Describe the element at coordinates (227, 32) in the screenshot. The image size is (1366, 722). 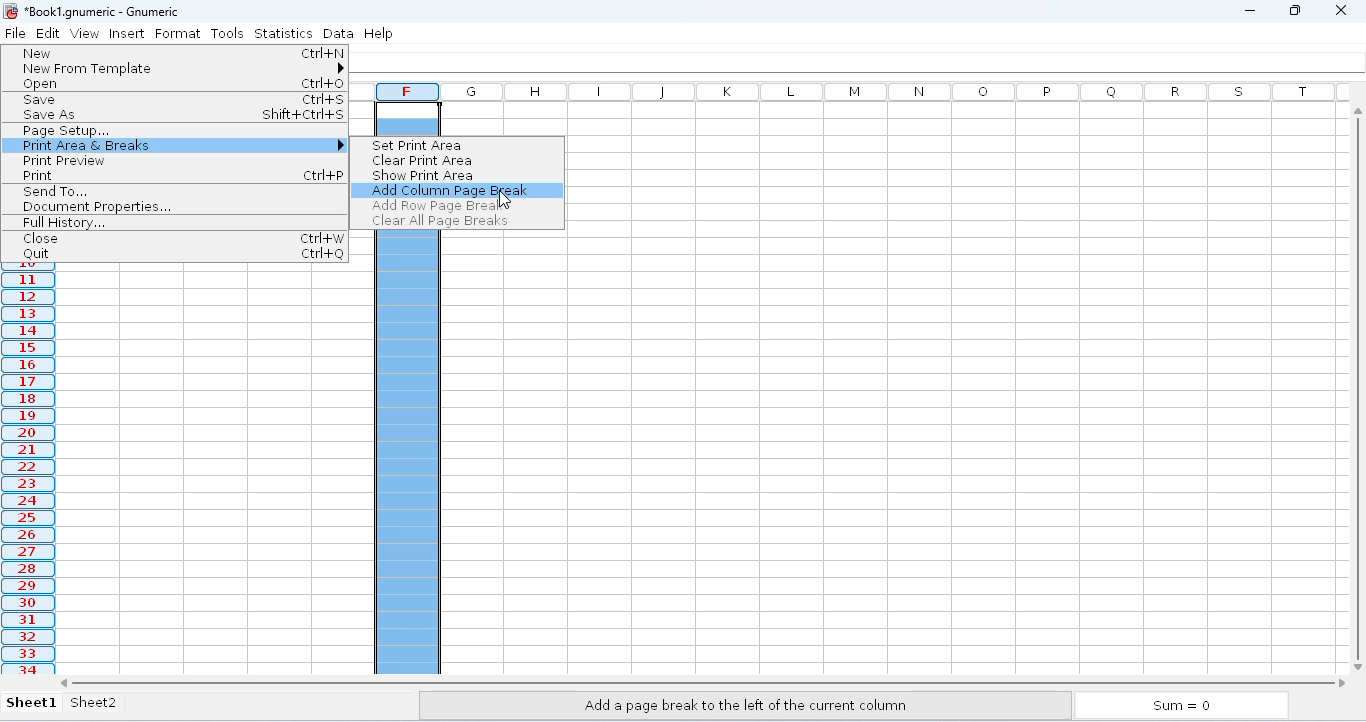
I see `tools` at that location.